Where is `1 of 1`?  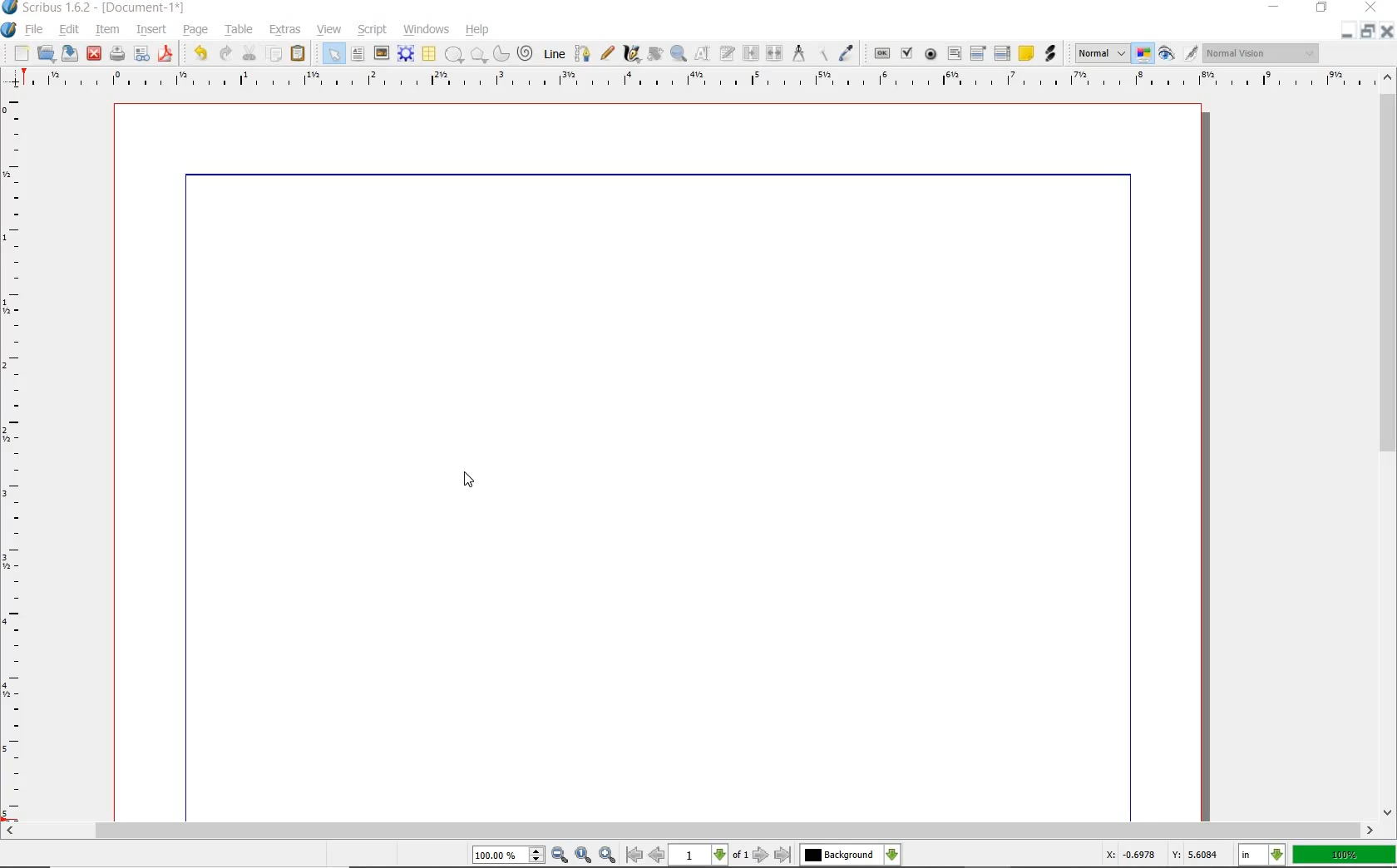 1 of 1 is located at coordinates (710, 855).